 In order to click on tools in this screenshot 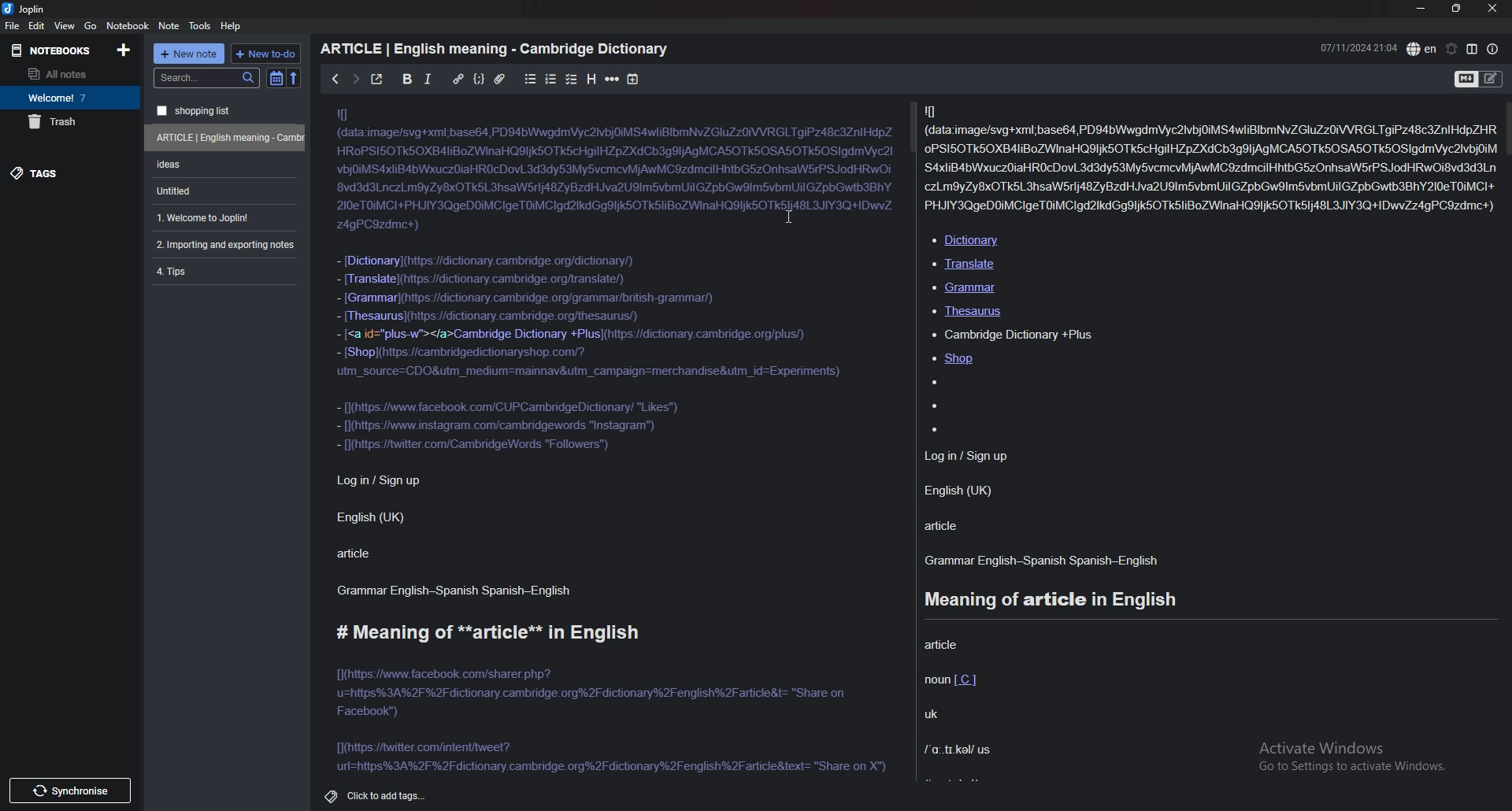, I will do `click(200, 26)`.